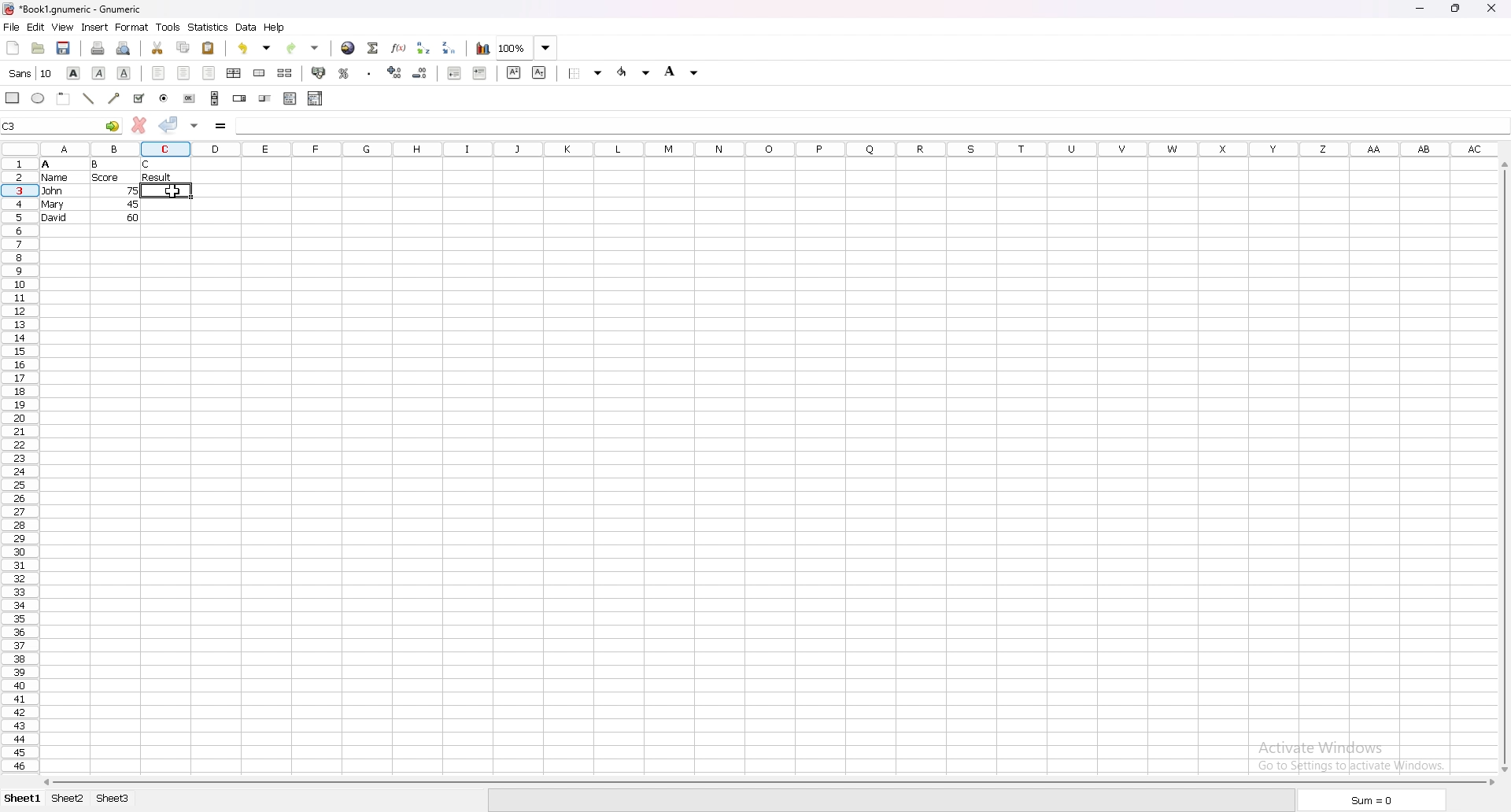 This screenshot has height=812, width=1511. I want to click on align left, so click(158, 73).